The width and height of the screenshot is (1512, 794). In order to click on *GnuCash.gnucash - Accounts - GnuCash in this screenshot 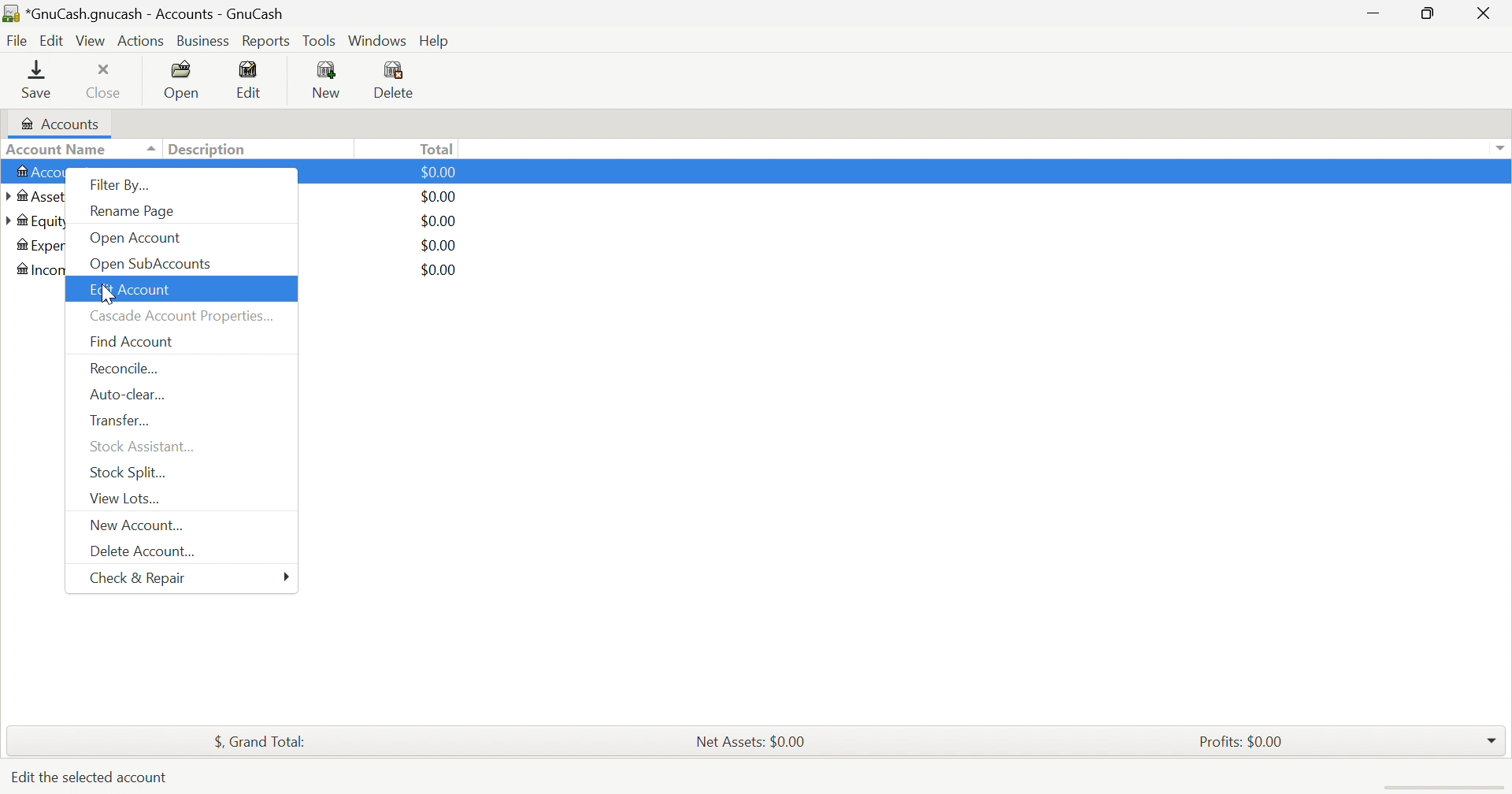, I will do `click(149, 14)`.